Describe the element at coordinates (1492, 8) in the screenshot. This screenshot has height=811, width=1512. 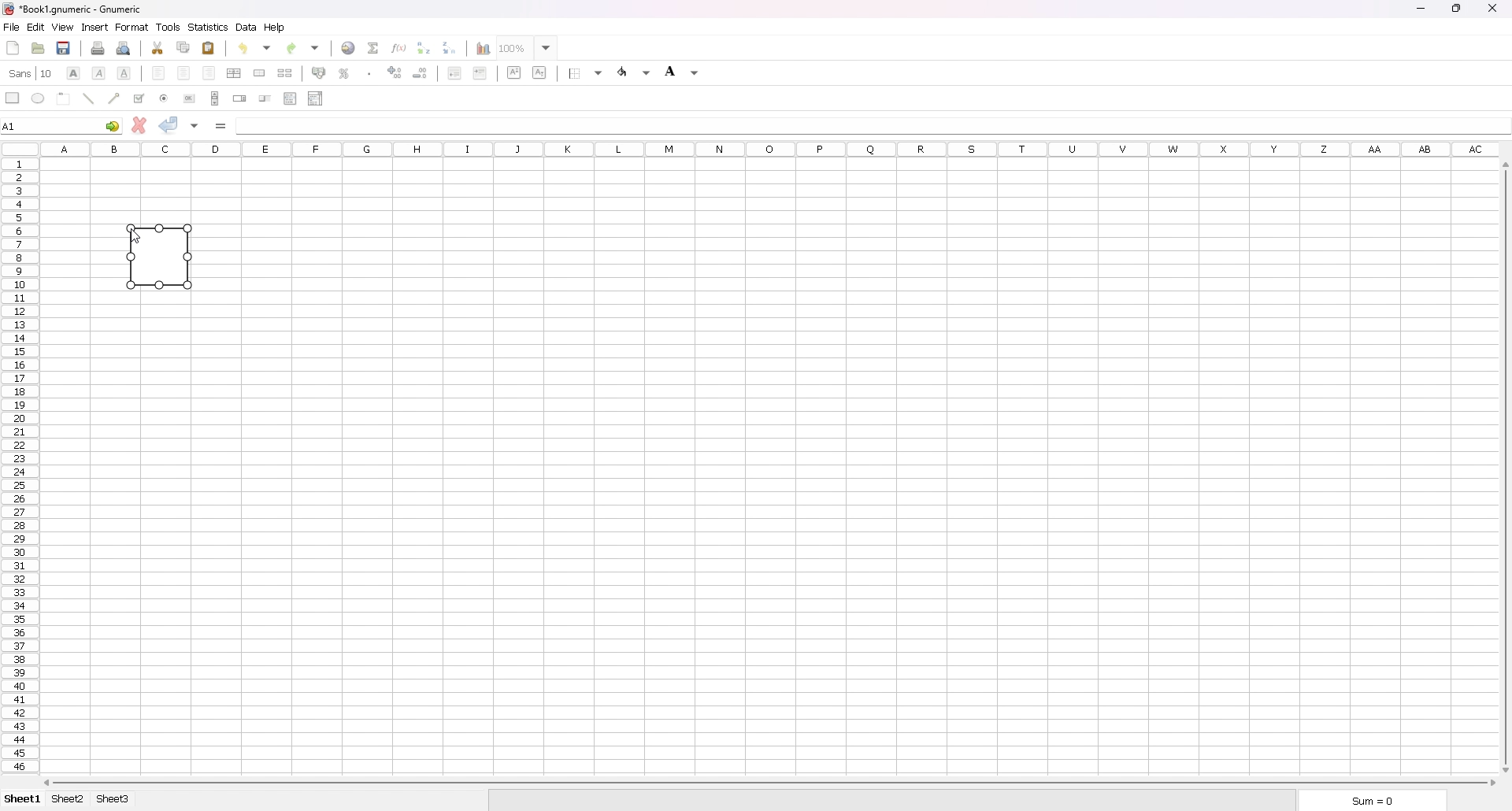
I see `close` at that location.